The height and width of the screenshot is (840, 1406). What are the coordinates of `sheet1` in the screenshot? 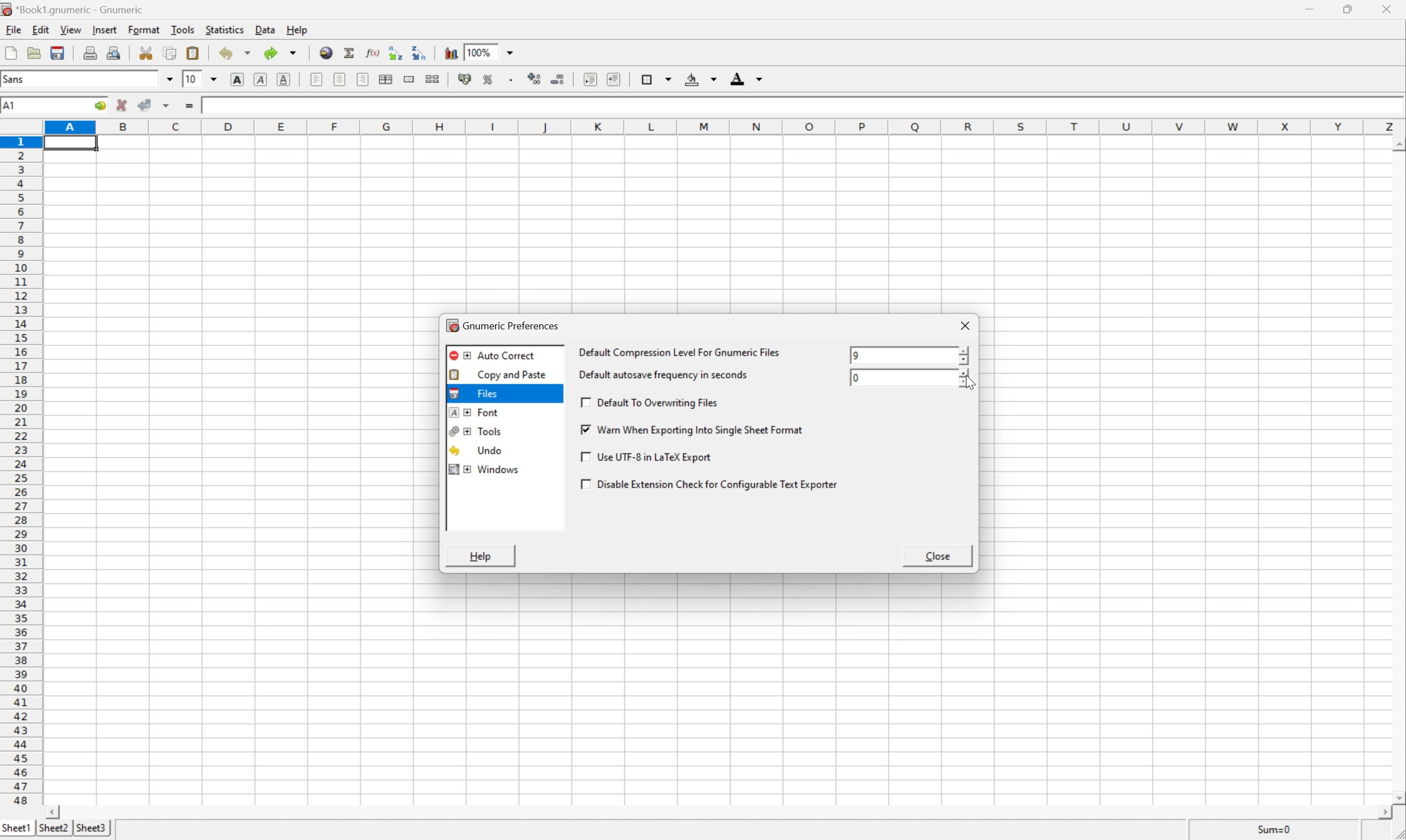 It's located at (16, 830).